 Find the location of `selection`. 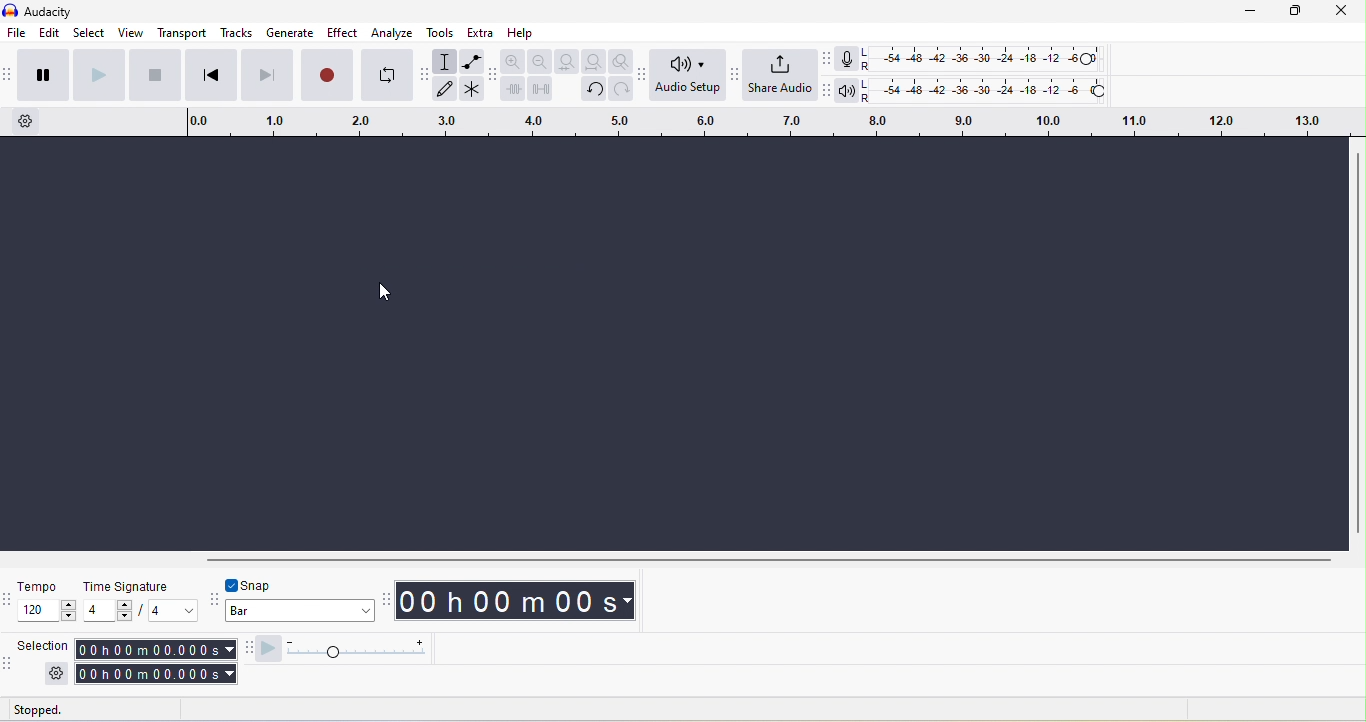

selection is located at coordinates (44, 645).